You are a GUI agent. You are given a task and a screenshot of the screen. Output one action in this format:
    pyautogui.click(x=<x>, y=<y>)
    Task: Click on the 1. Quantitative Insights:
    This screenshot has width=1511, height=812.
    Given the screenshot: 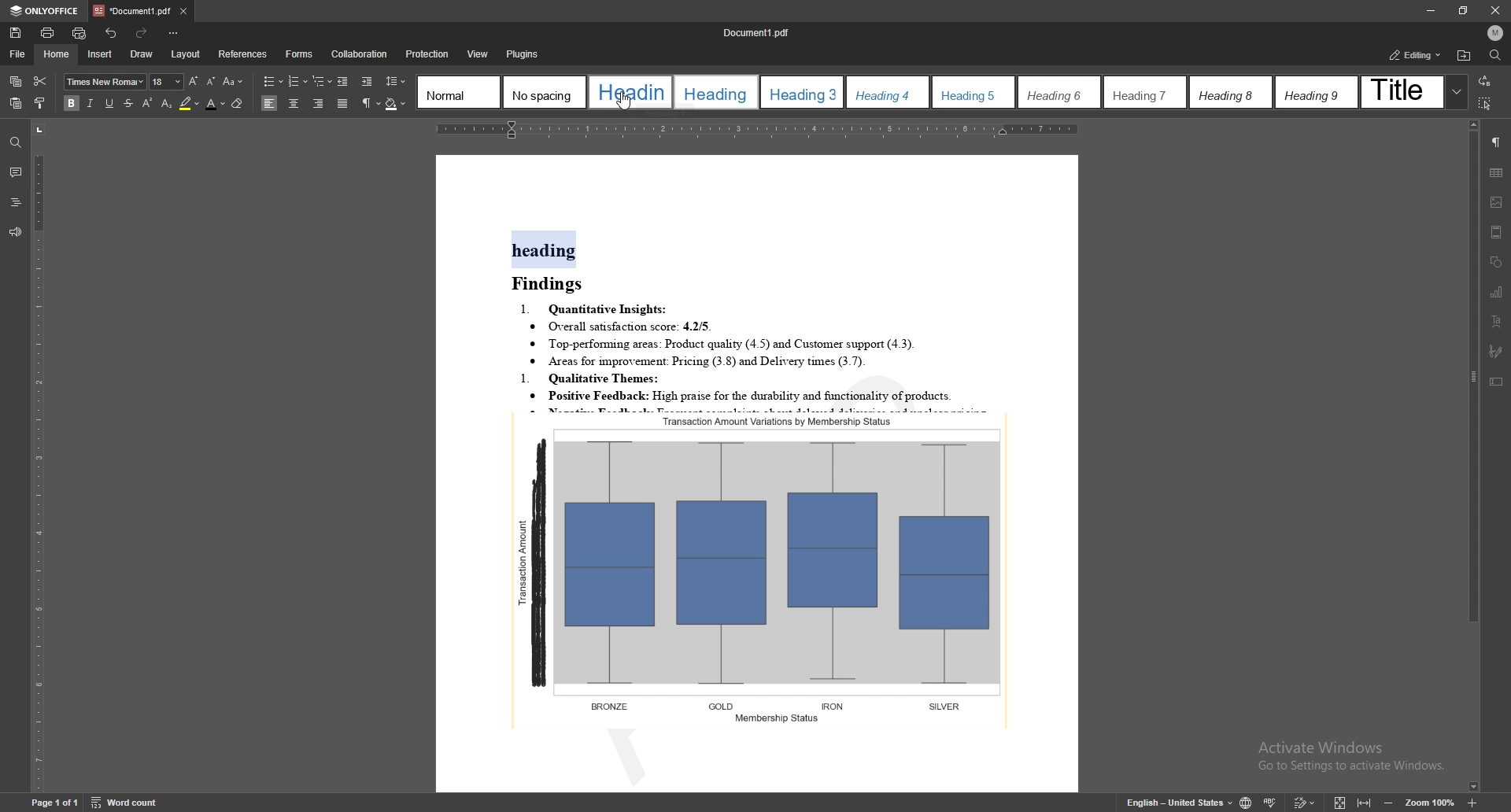 What is the action you would take?
    pyautogui.click(x=597, y=308)
    